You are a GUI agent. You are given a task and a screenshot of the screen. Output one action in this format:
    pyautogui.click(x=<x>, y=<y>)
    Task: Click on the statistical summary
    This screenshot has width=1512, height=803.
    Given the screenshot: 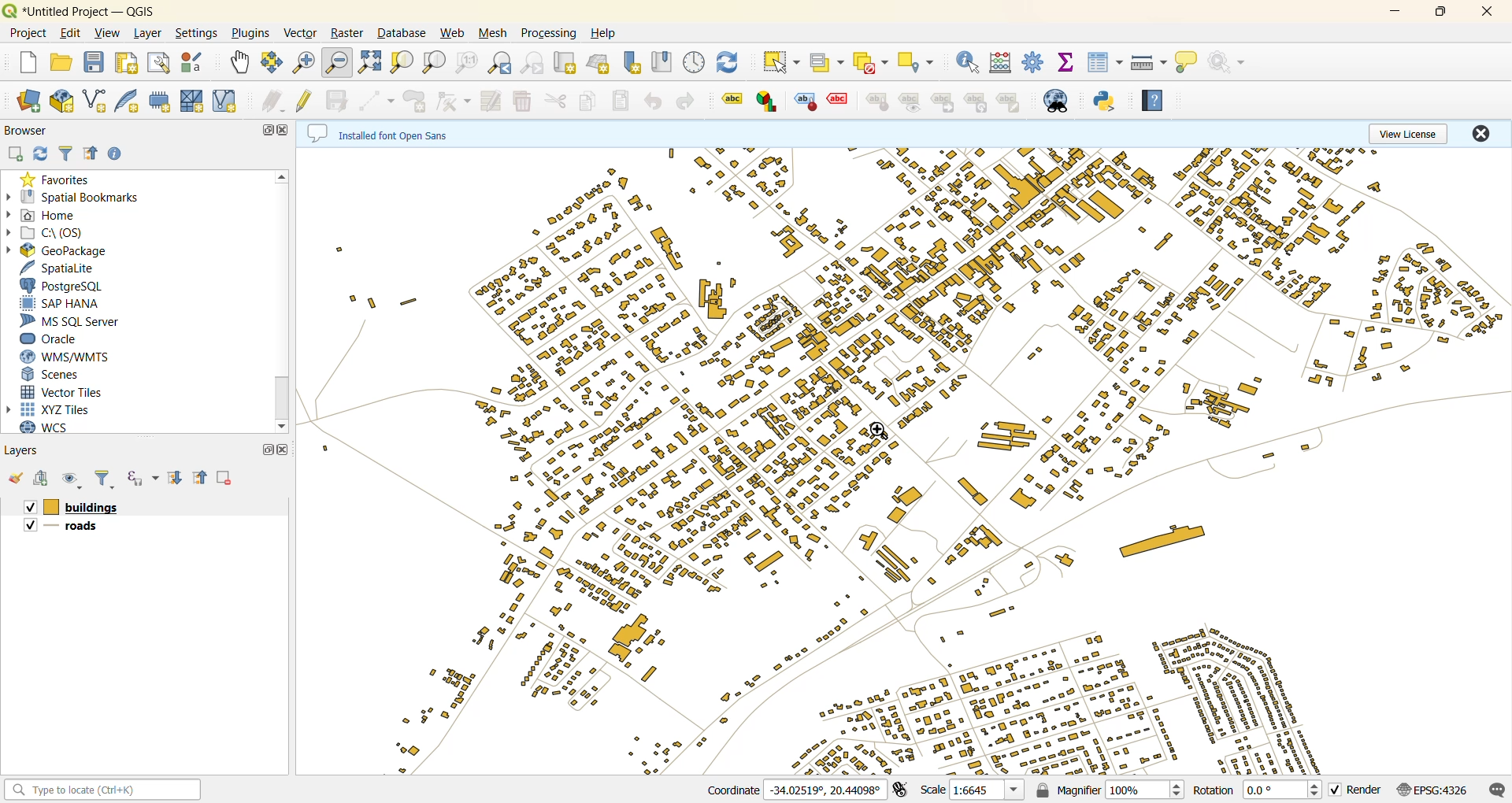 What is the action you would take?
    pyautogui.click(x=1066, y=61)
    